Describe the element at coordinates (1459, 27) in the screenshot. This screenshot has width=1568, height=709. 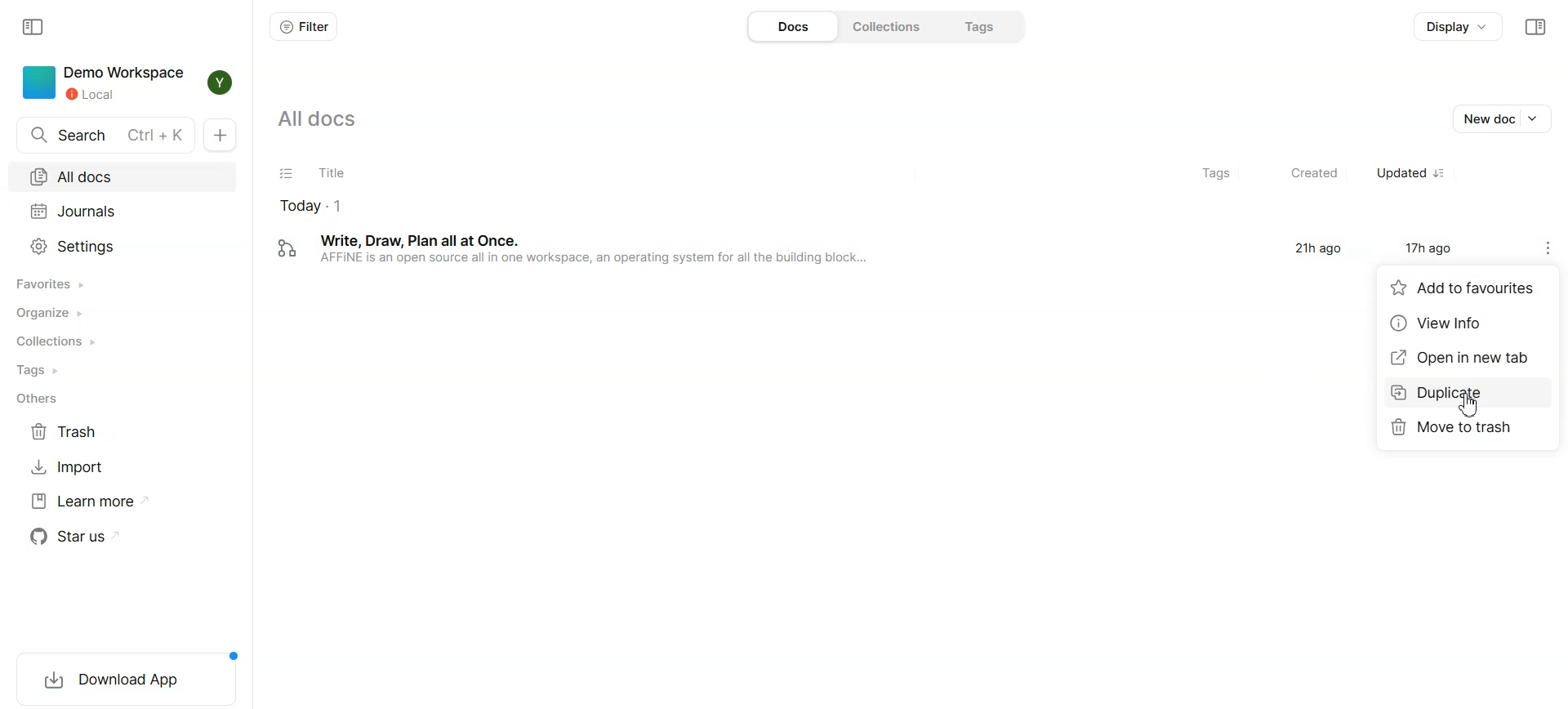
I see `Display` at that location.